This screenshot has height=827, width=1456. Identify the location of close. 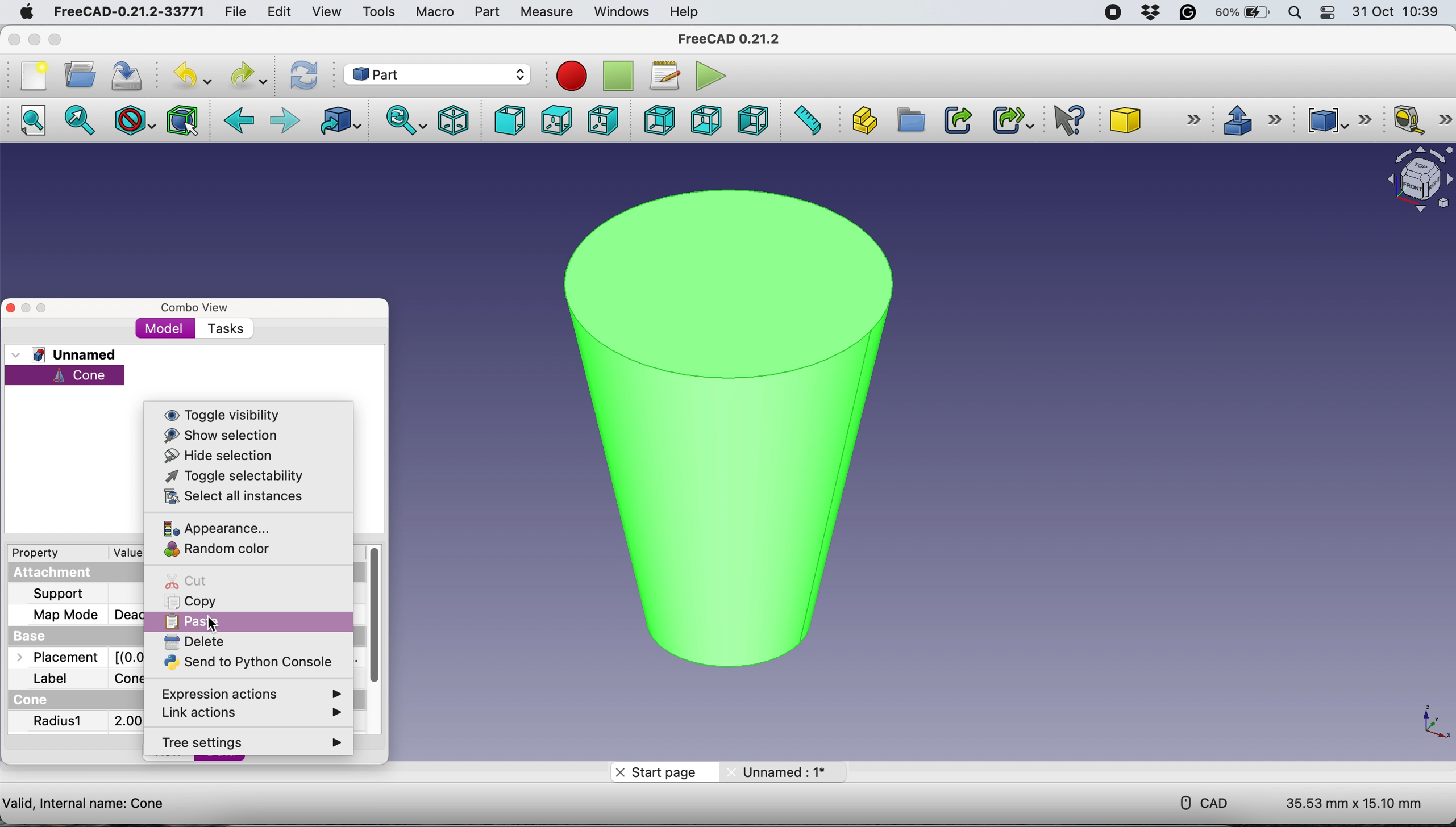
(11, 307).